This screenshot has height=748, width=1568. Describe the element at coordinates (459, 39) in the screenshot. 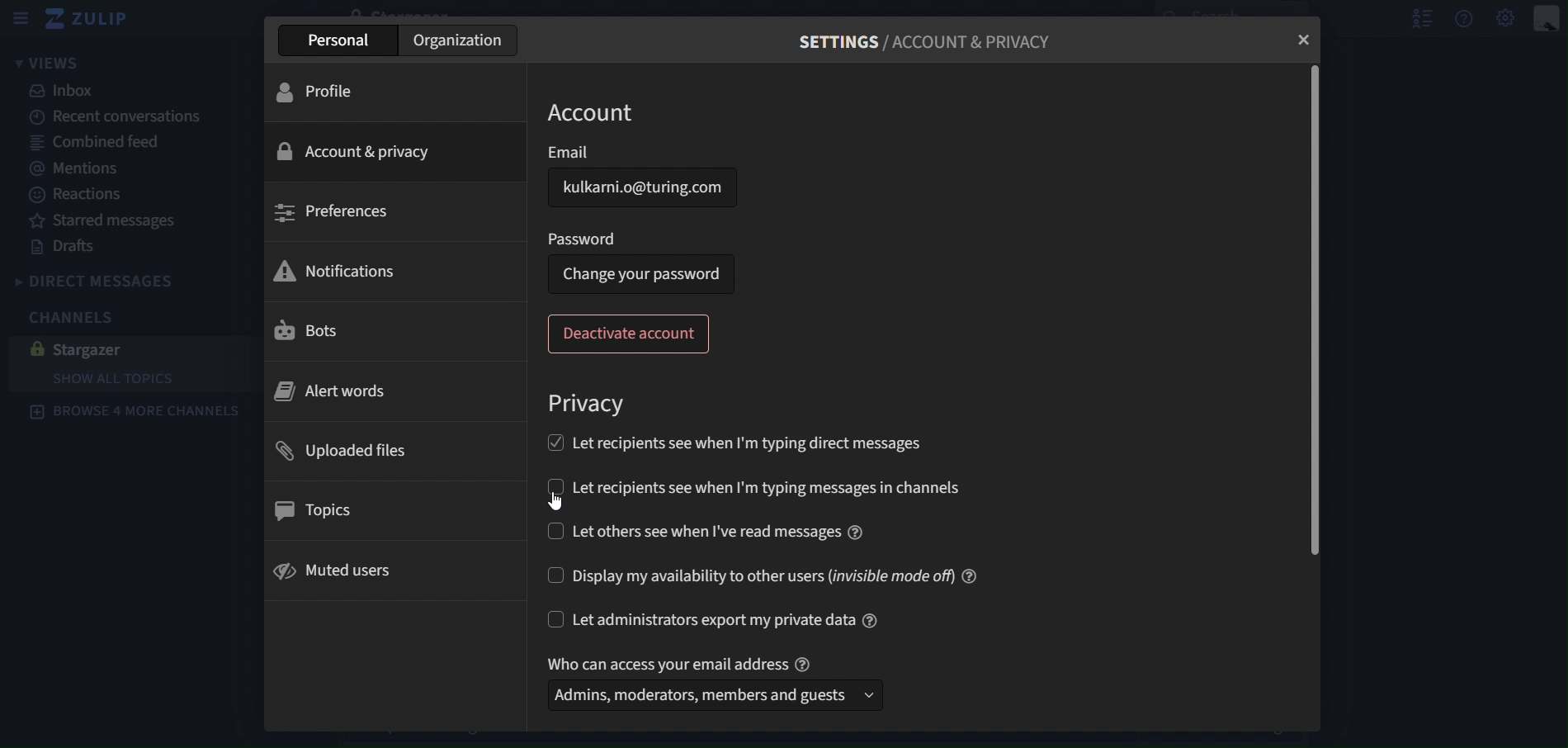

I see `organization` at that location.